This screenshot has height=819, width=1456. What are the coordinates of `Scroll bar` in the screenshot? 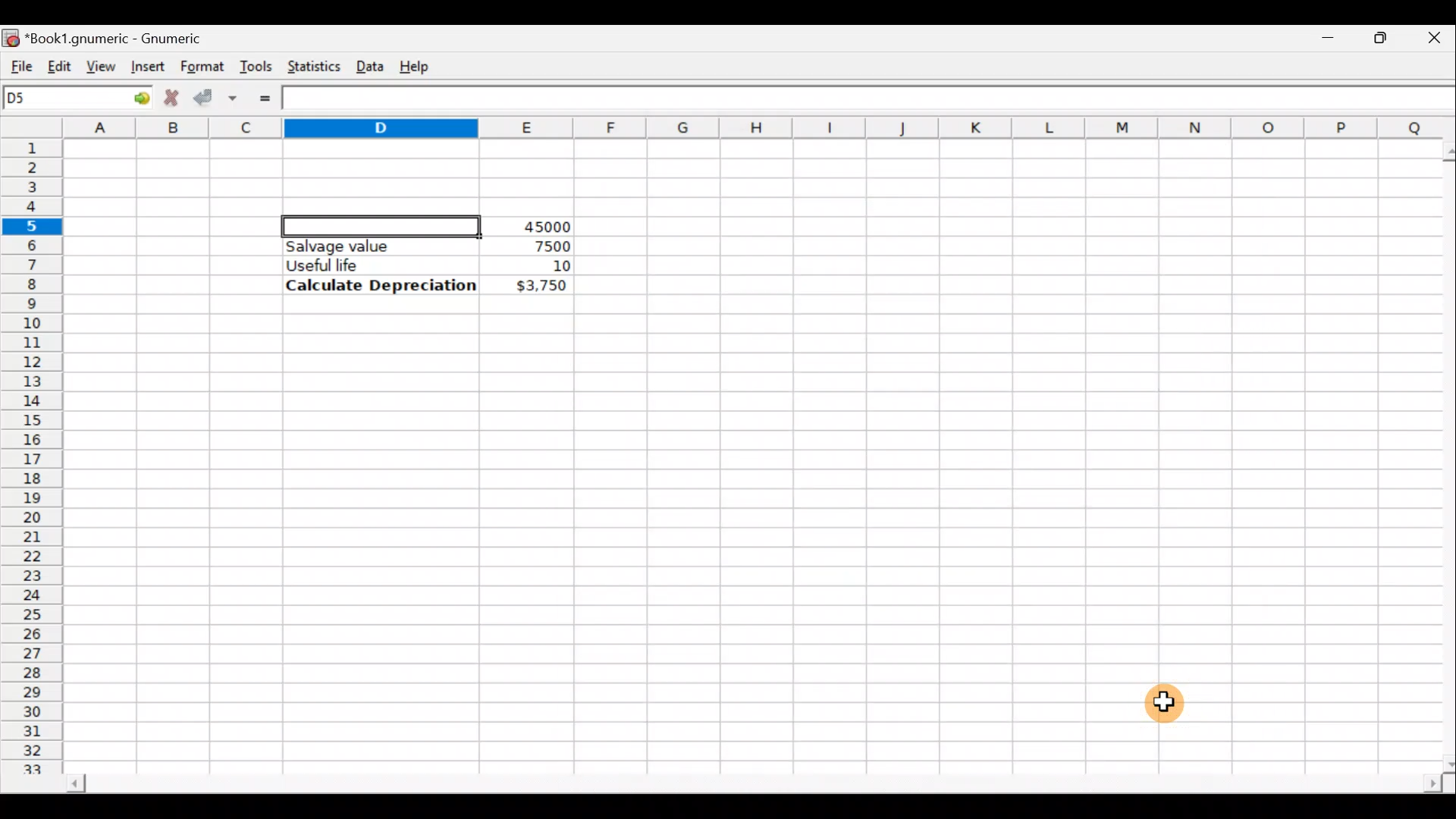 It's located at (1439, 454).